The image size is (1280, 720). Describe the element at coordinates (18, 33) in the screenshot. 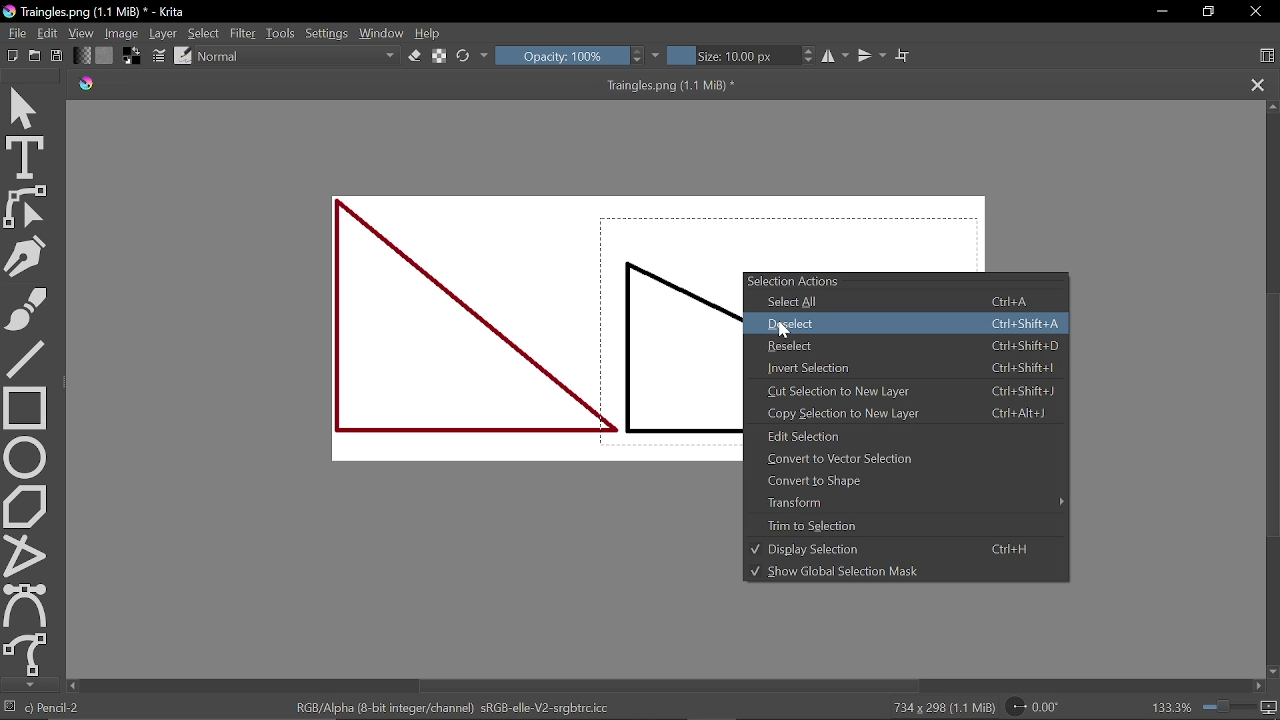

I see `File` at that location.